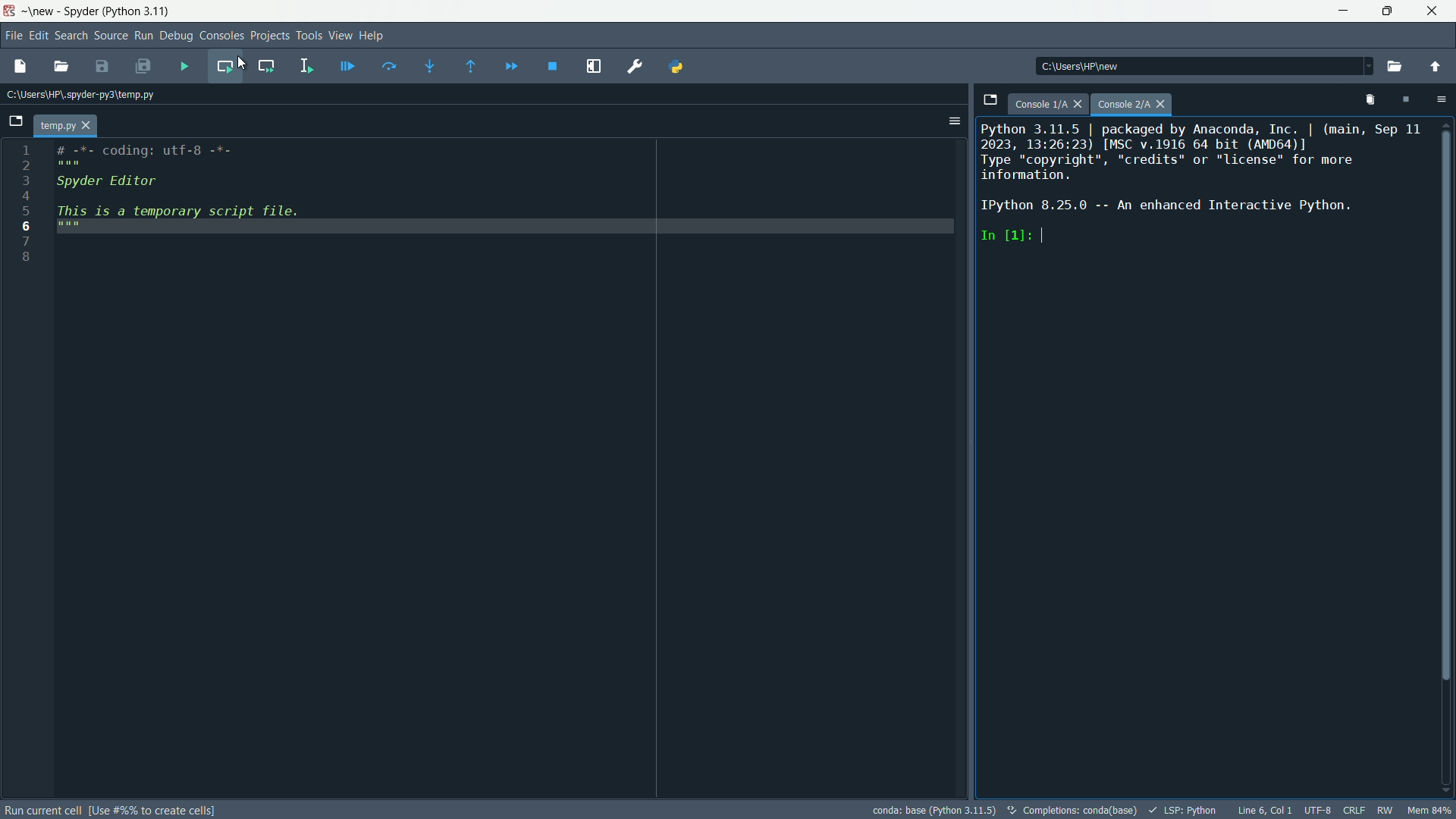 The width and height of the screenshot is (1456, 819). What do you see at coordinates (431, 65) in the screenshot?
I see `step into funtion or method` at bounding box center [431, 65].